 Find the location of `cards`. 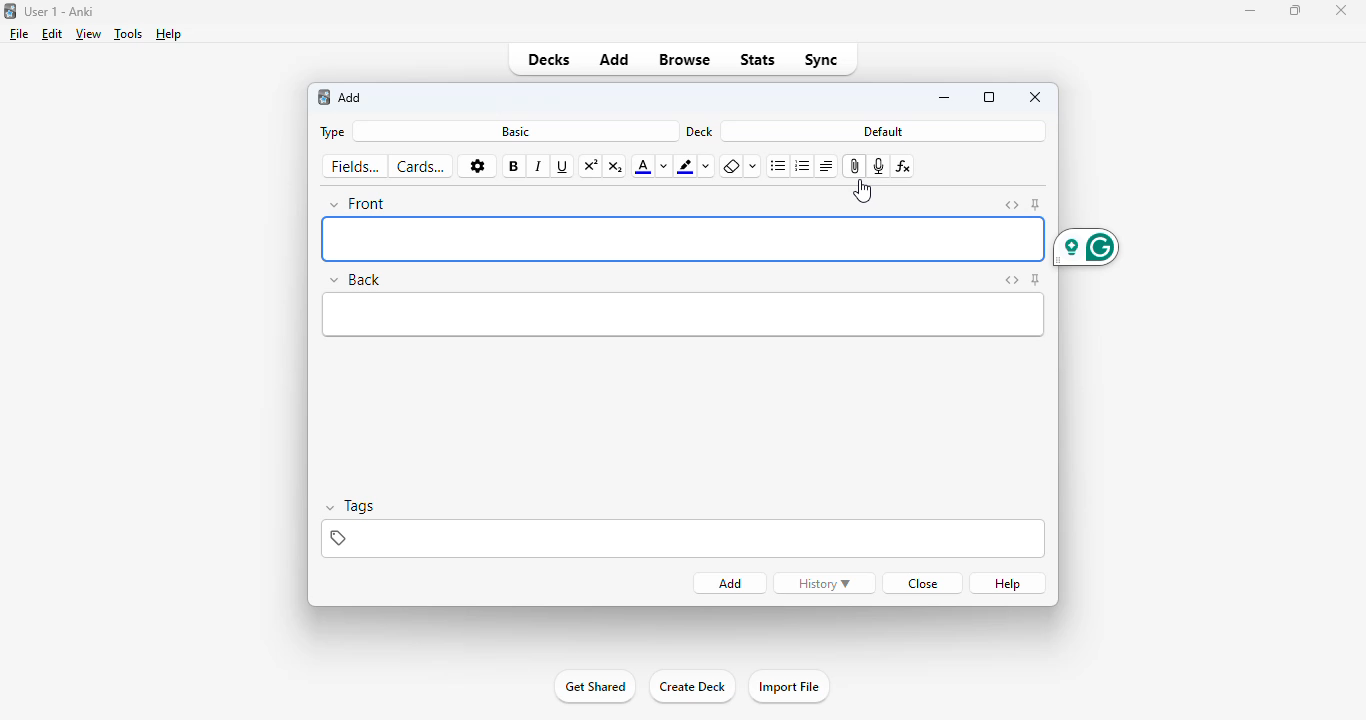

cards is located at coordinates (421, 167).